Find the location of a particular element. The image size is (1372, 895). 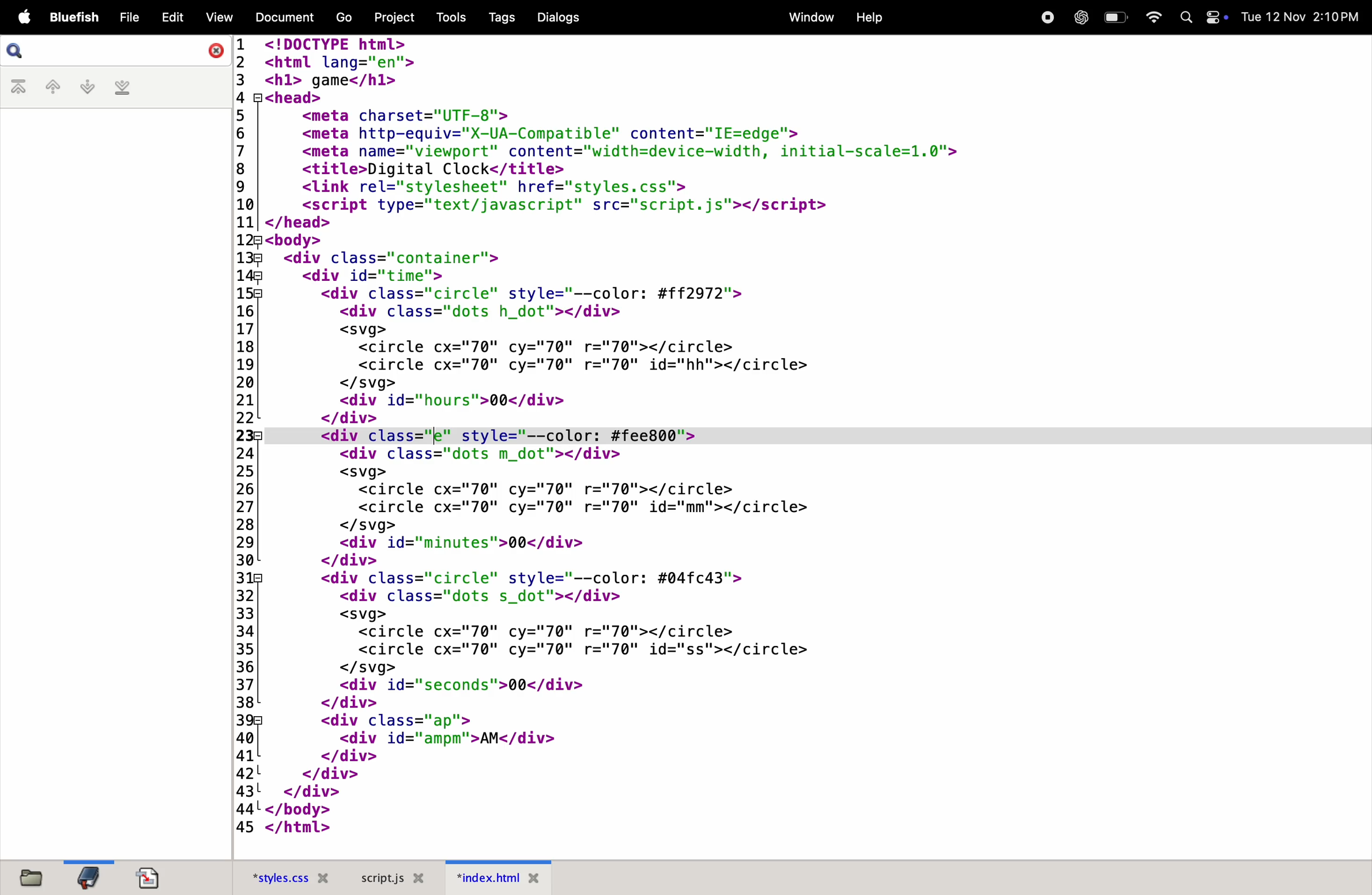

documents is located at coordinates (147, 877).